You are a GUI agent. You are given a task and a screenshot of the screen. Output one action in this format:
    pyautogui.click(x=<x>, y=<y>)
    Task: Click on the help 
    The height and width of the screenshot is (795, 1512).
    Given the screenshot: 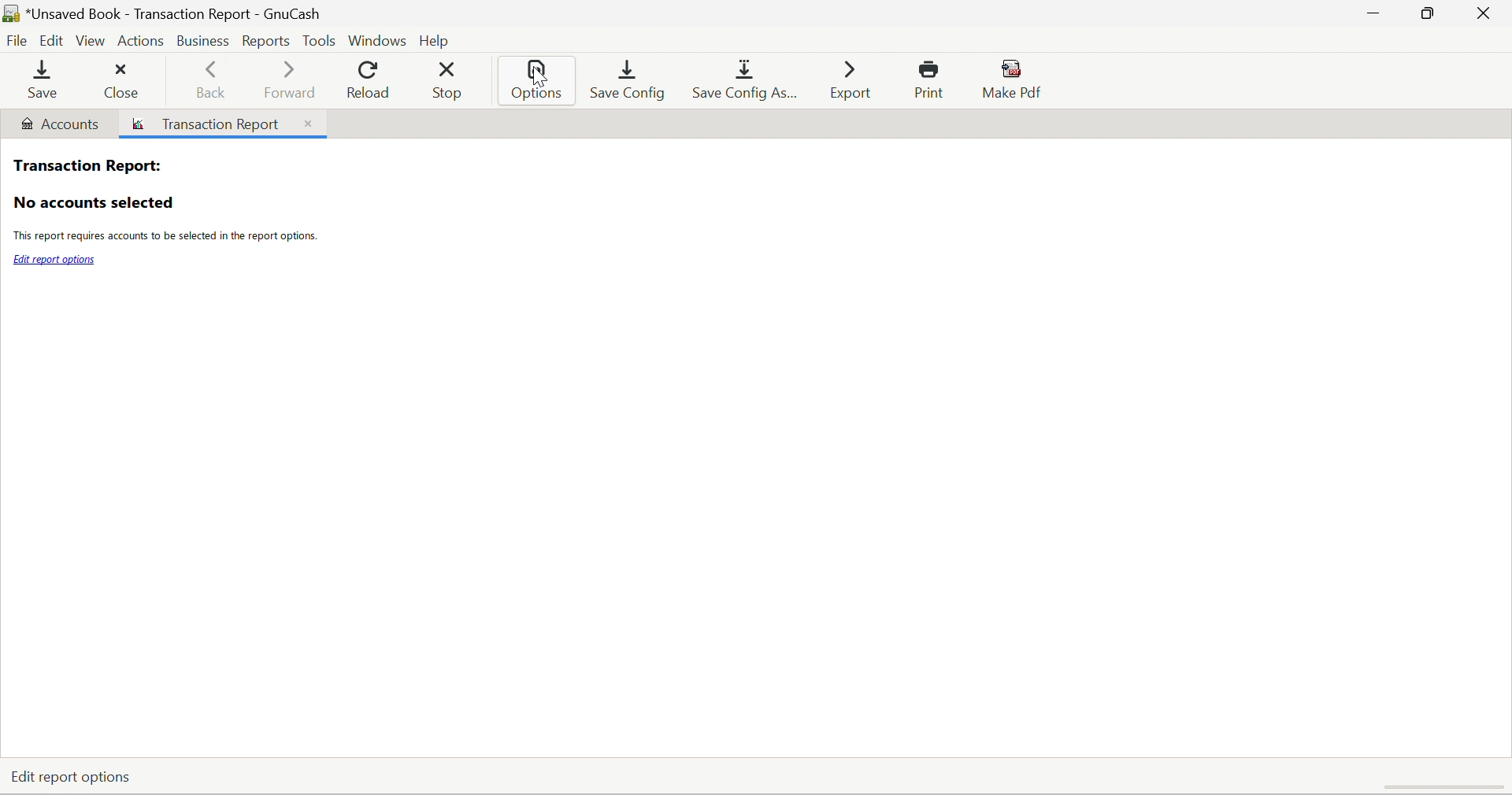 What is the action you would take?
    pyautogui.click(x=439, y=38)
    